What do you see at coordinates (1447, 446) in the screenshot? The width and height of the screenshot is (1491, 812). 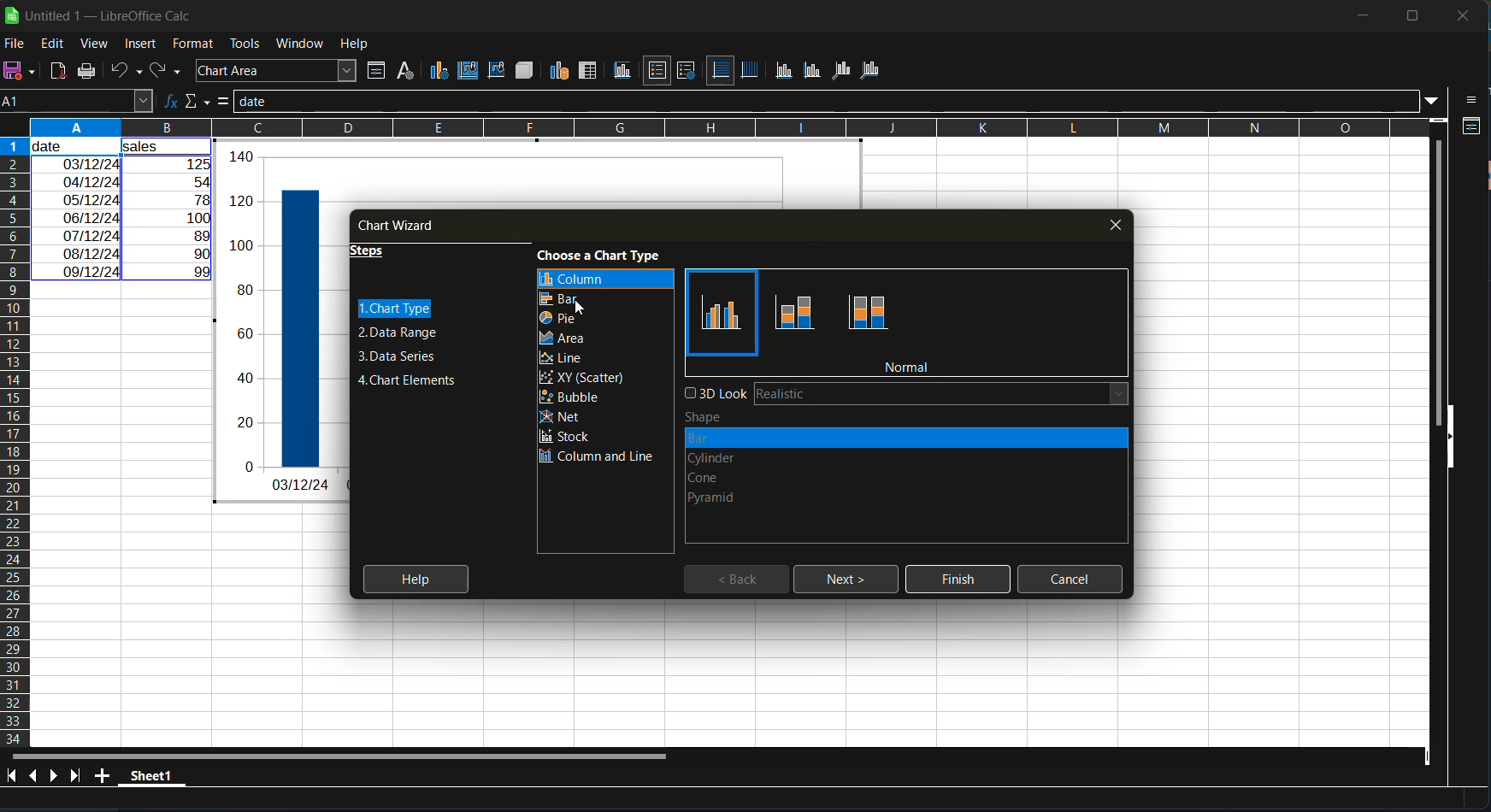 I see `hide` at bounding box center [1447, 446].